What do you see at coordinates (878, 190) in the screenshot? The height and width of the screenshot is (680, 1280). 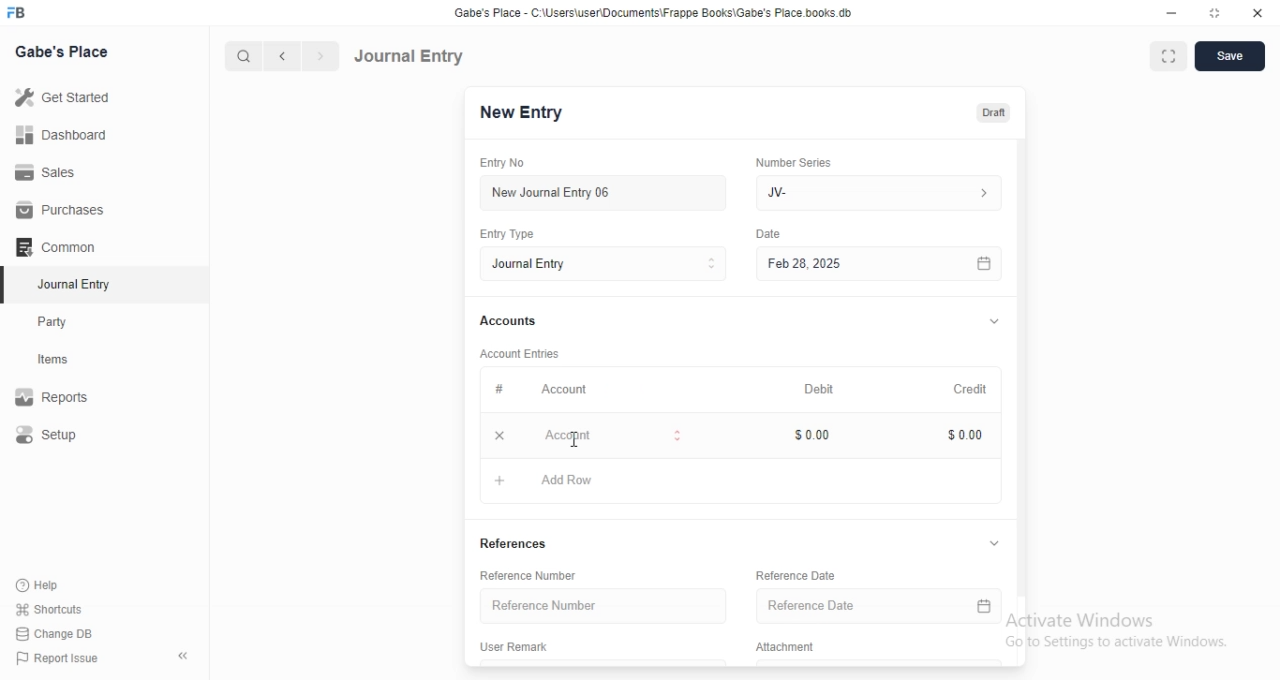 I see `JV-` at bounding box center [878, 190].